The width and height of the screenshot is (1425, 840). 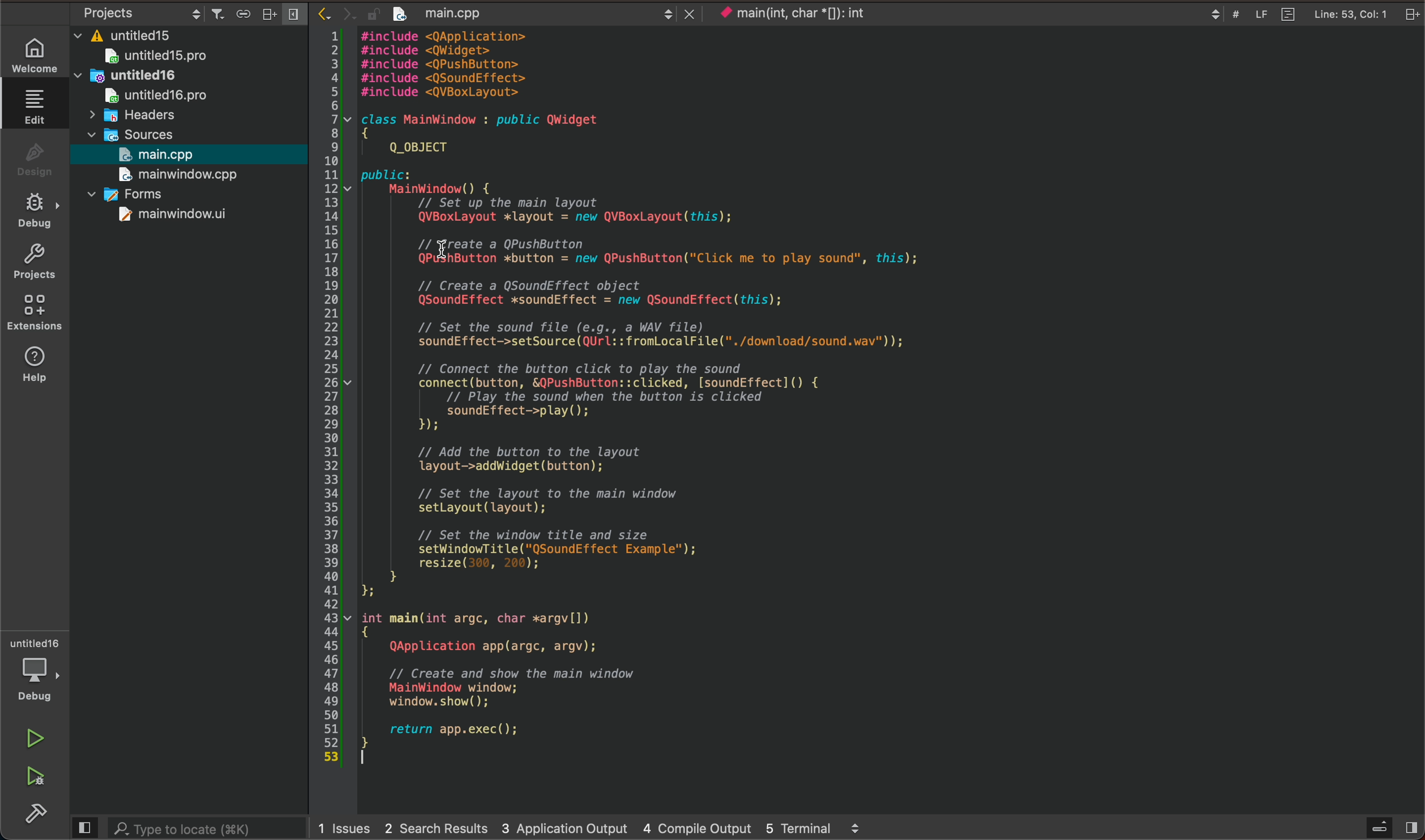 What do you see at coordinates (194, 33) in the screenshot?
I see `files and folders` at bounding box center [194, 33].